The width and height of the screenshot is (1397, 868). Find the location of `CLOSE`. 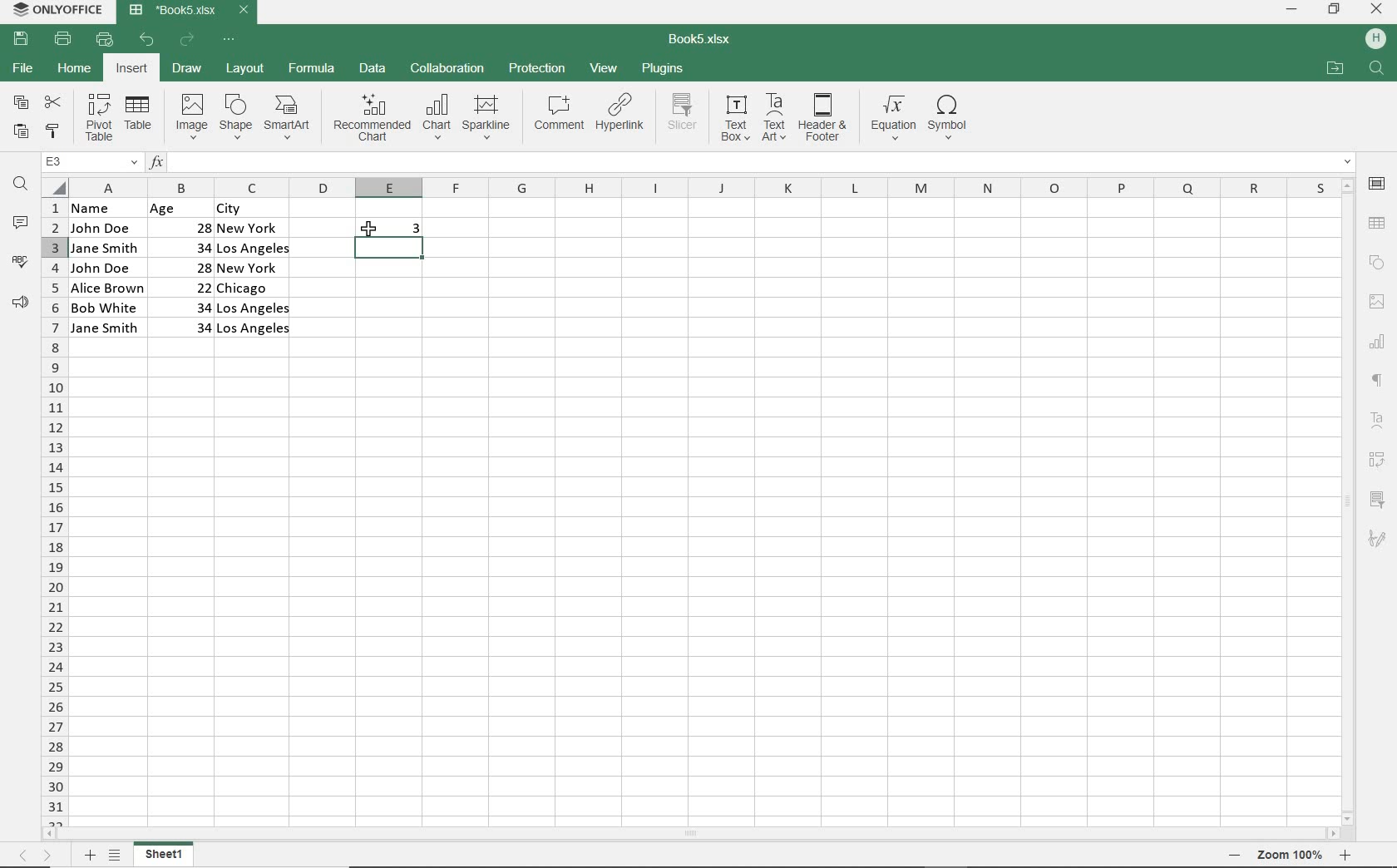

CLOSE is located at coordinates (1377, 8).